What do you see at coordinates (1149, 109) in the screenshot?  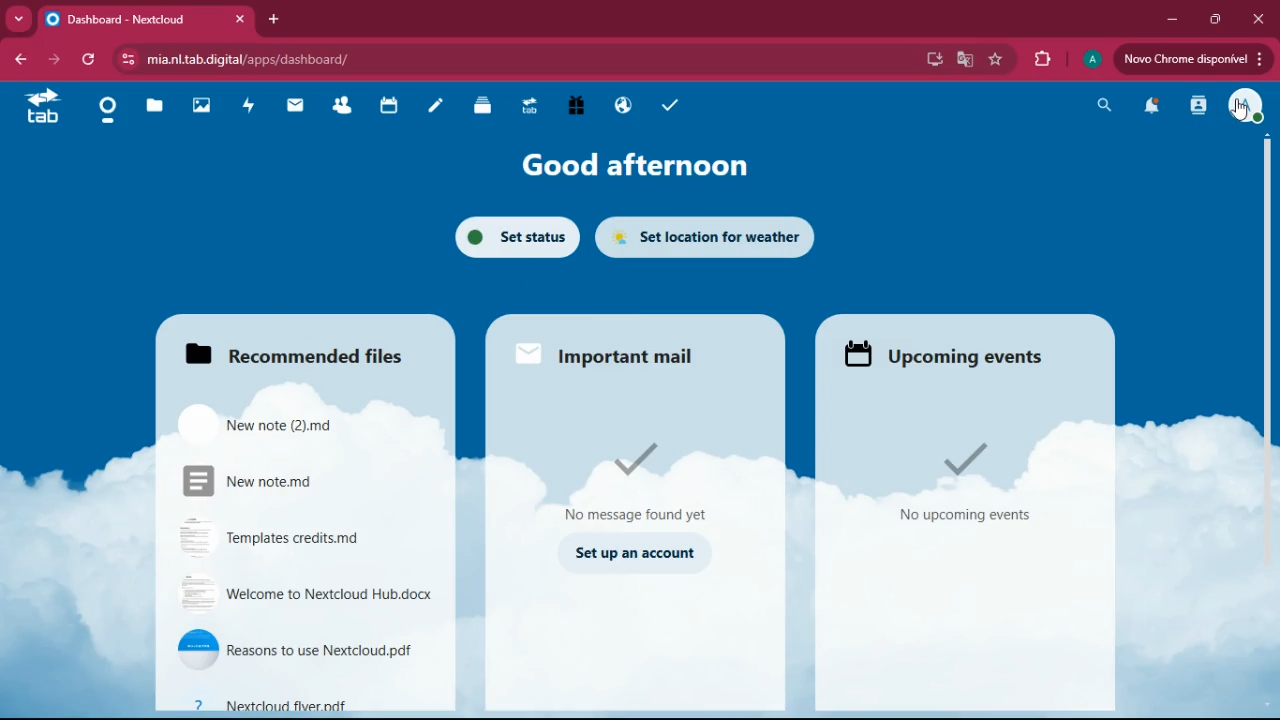 I see `notifications` at bounding box center [1149, 109].